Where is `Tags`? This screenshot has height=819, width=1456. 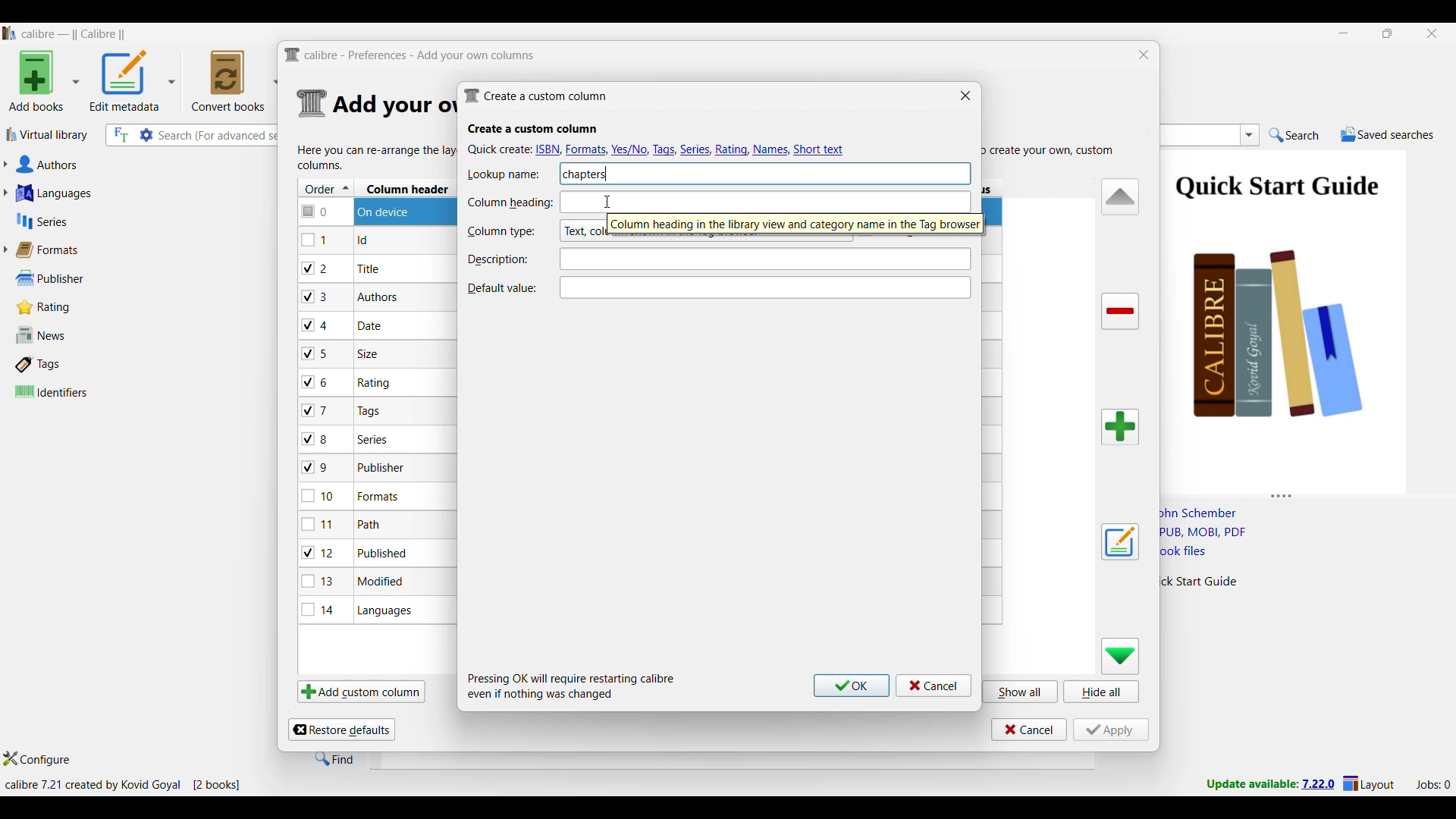 Tags is located at coordinates (71, 364).